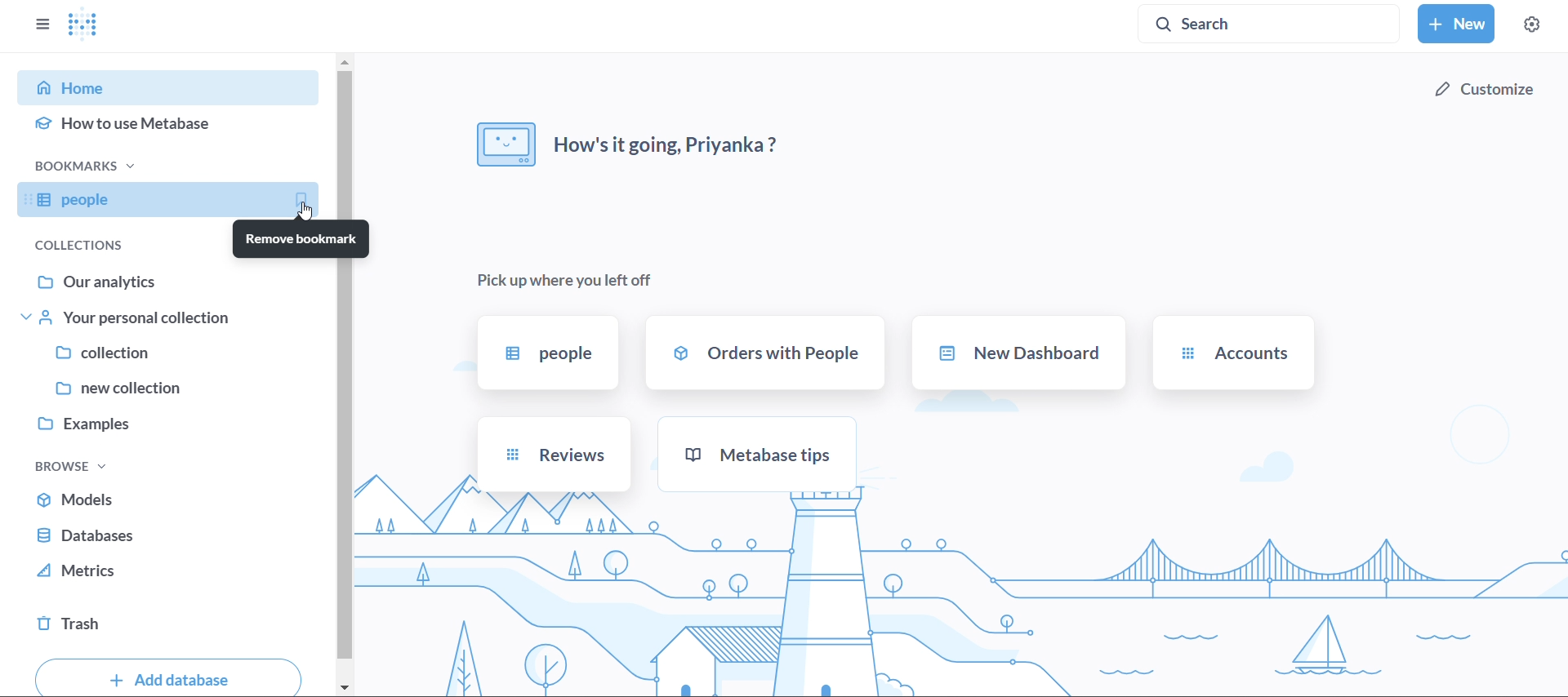 Image resolution: width=1568 pixels, height=697 pixels. Describe the element at coordinates (84, 168) in the screenshot. I see `bookmarks` at that location.